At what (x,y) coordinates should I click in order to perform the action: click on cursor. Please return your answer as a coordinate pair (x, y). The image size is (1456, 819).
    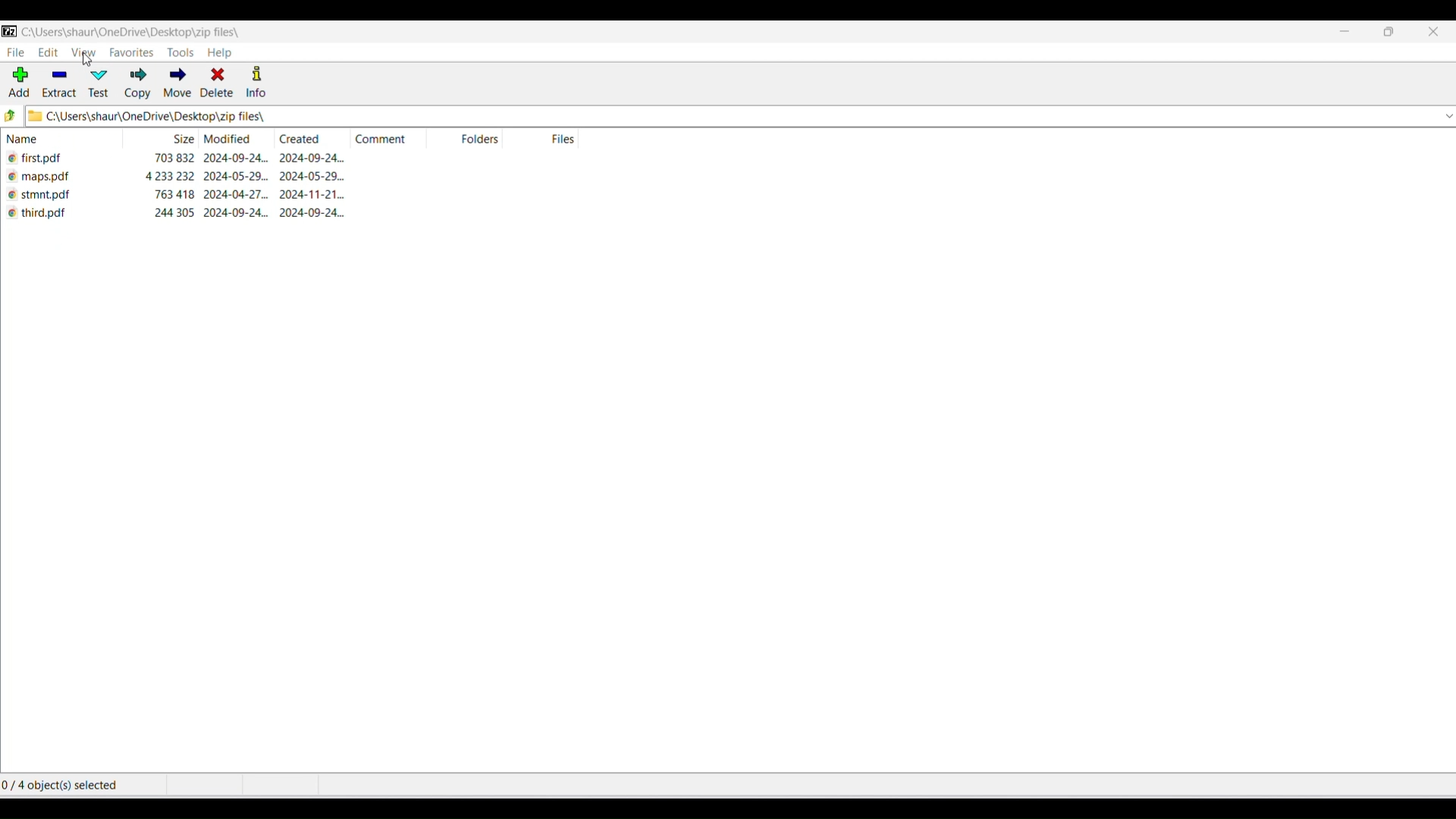
    Looking at the image, I should click on (92, 64).